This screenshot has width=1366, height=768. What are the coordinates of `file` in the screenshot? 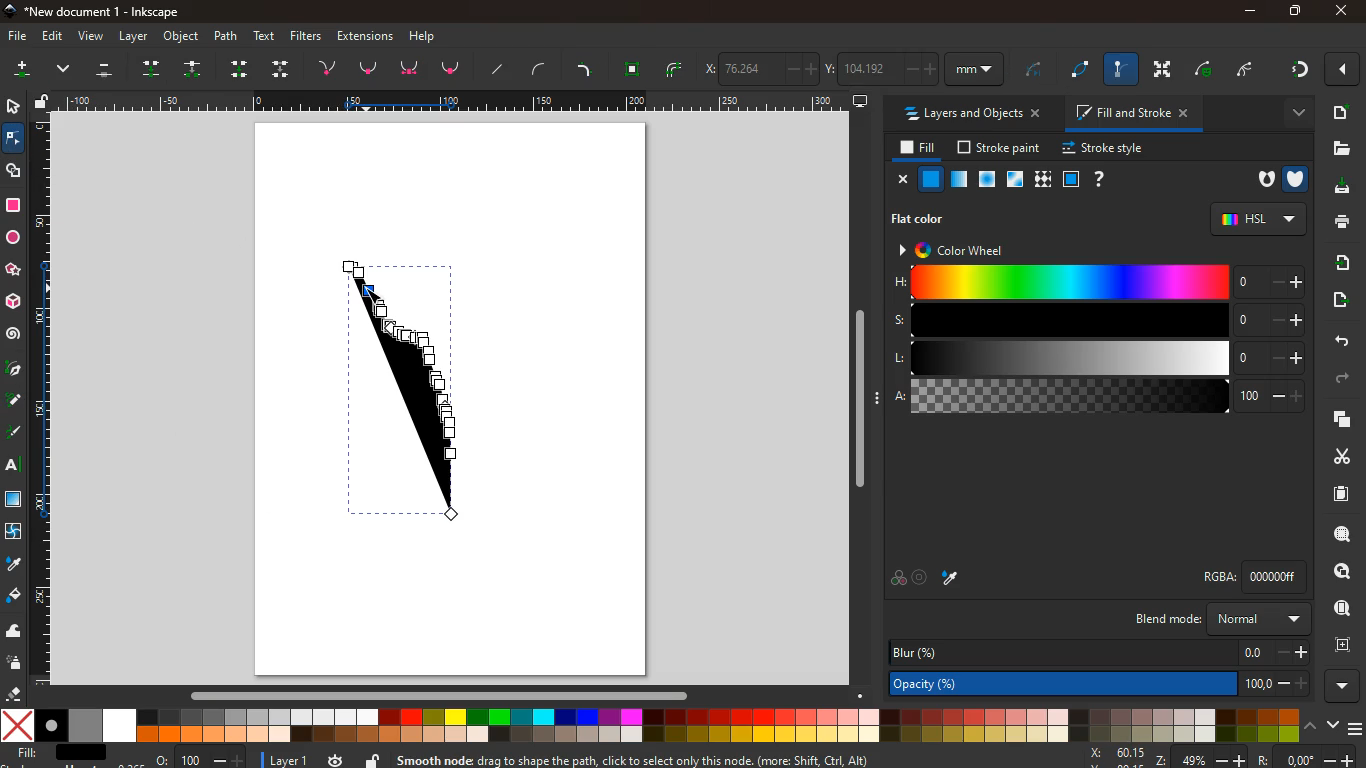 It's located at (16, 37).